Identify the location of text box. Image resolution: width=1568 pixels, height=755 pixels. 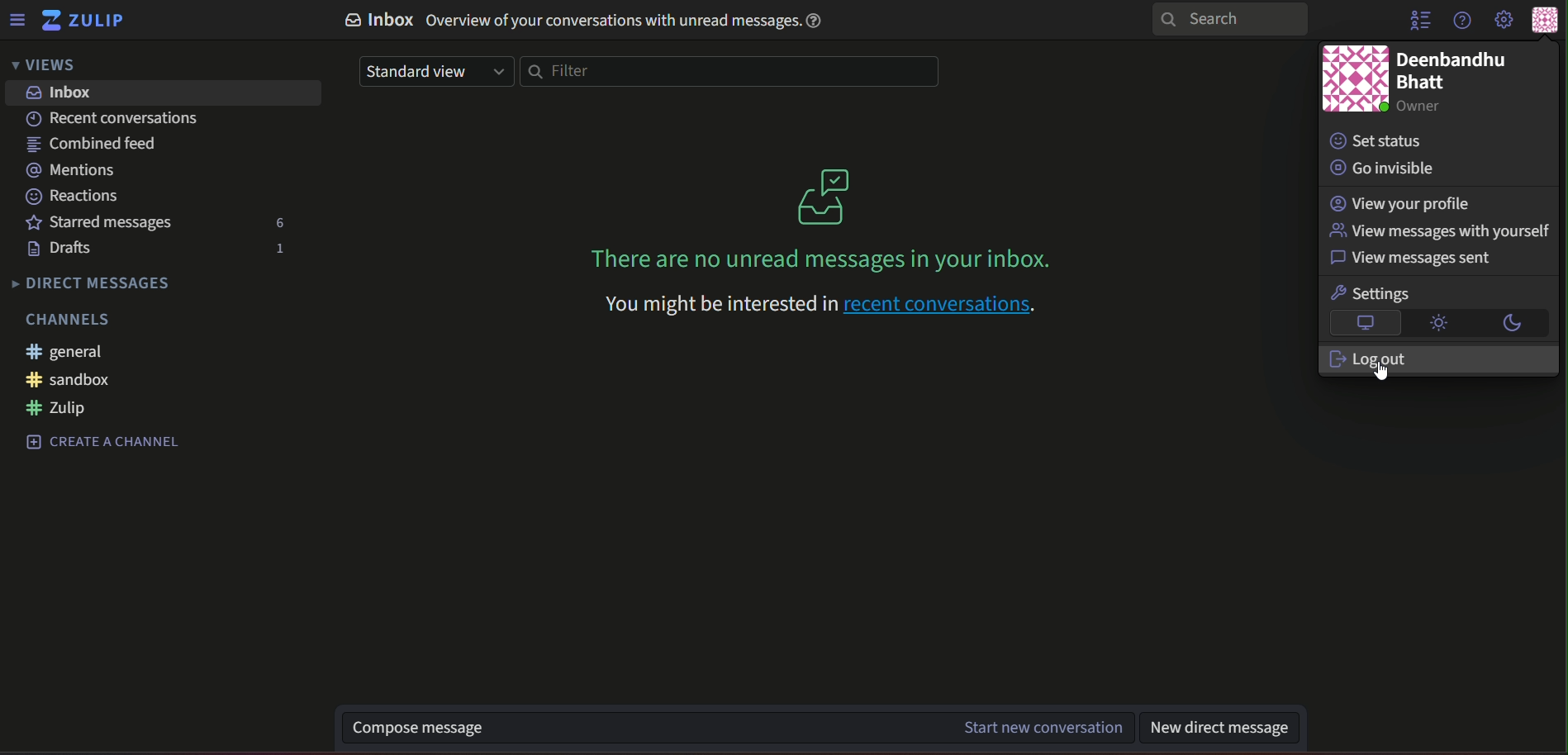
(738, 727).